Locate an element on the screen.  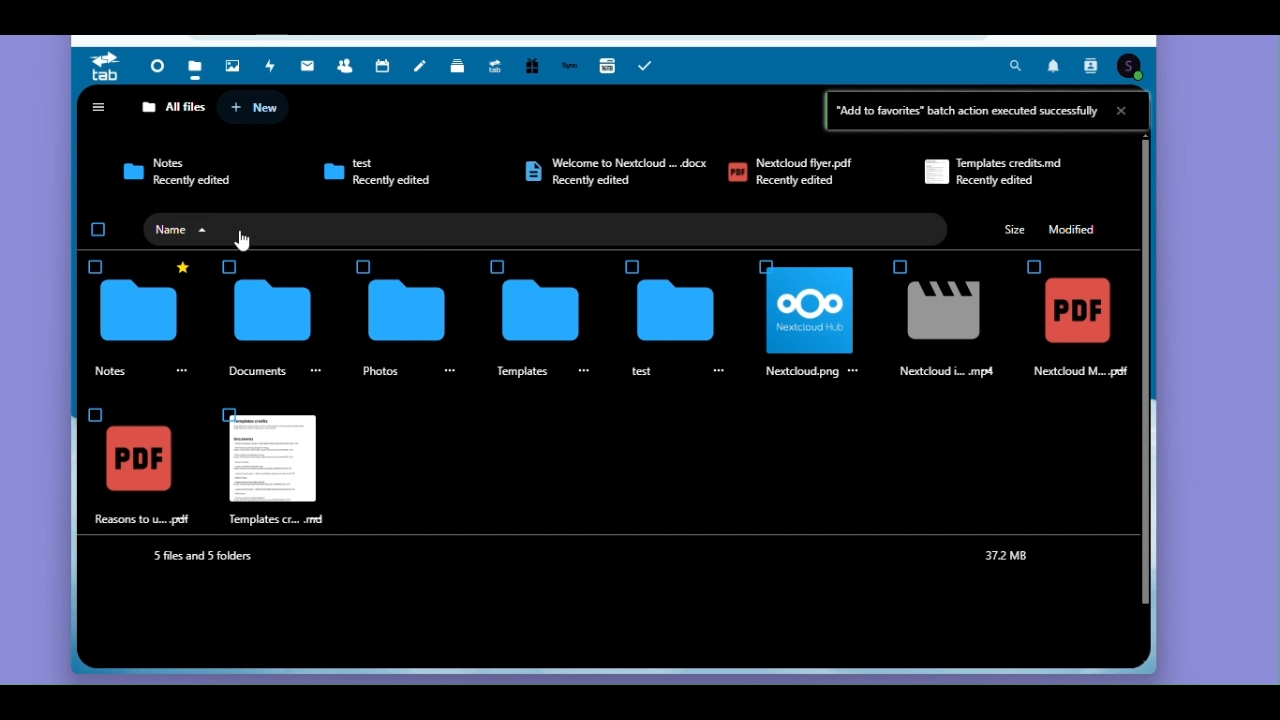
Search Bar is located at coordinates (1018, 65).